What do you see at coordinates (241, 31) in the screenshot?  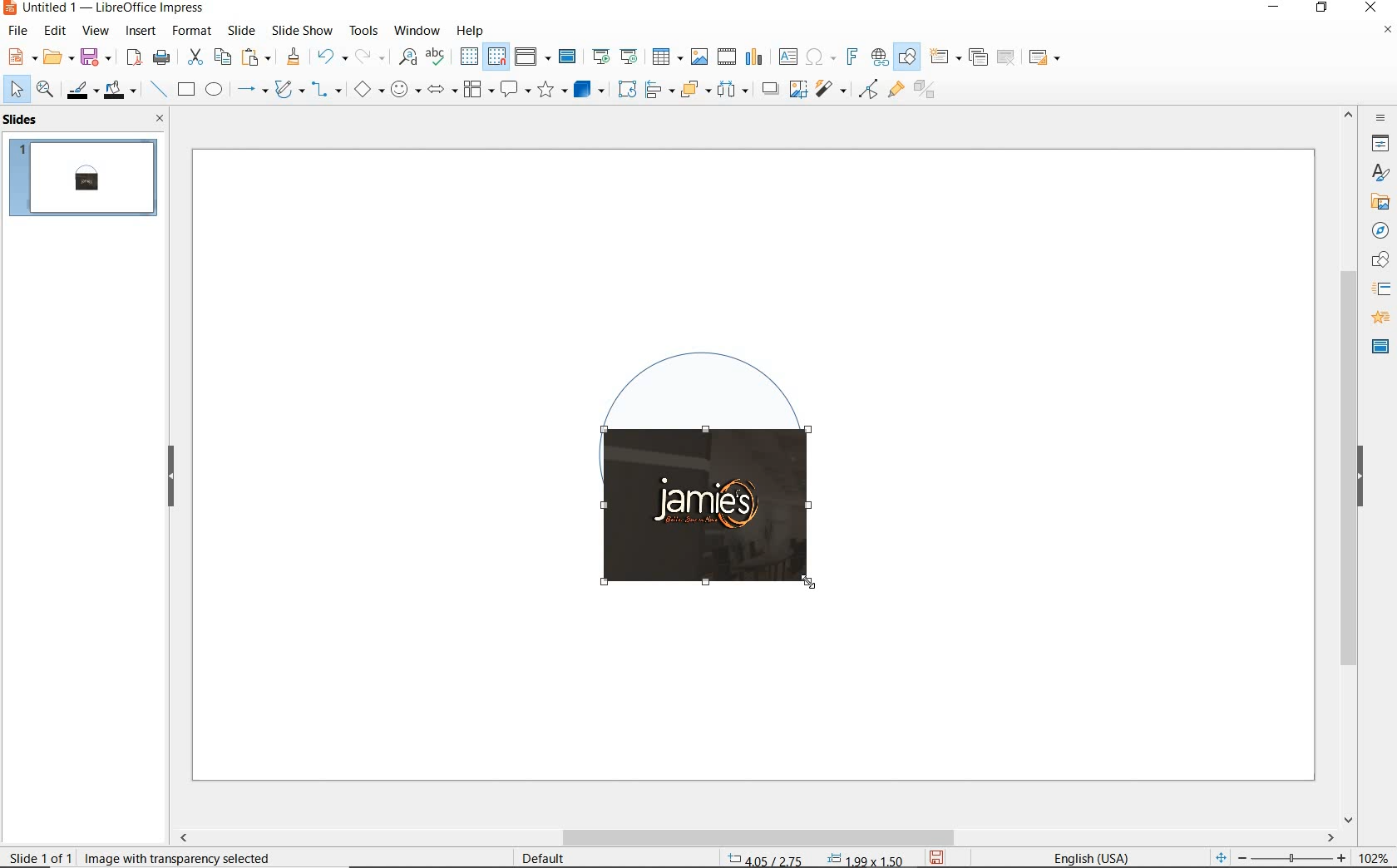 I see `slide` at bounding box center [241, 31].